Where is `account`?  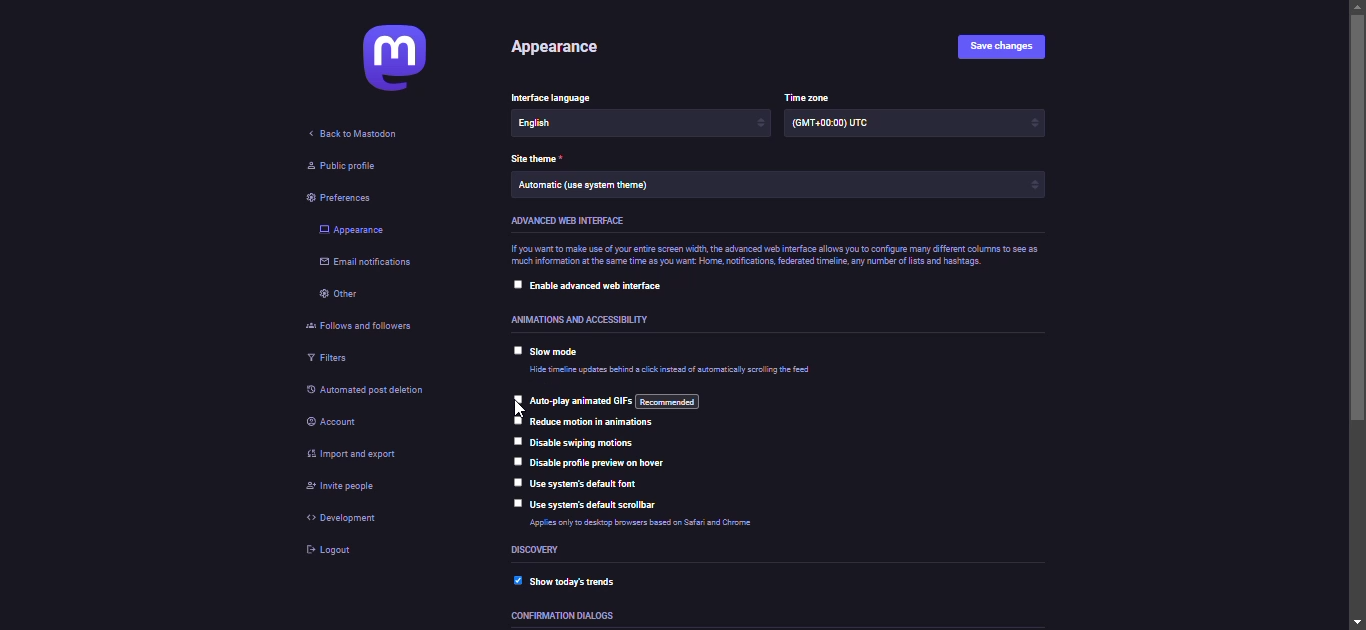 account is located at coordinates (332, 421).